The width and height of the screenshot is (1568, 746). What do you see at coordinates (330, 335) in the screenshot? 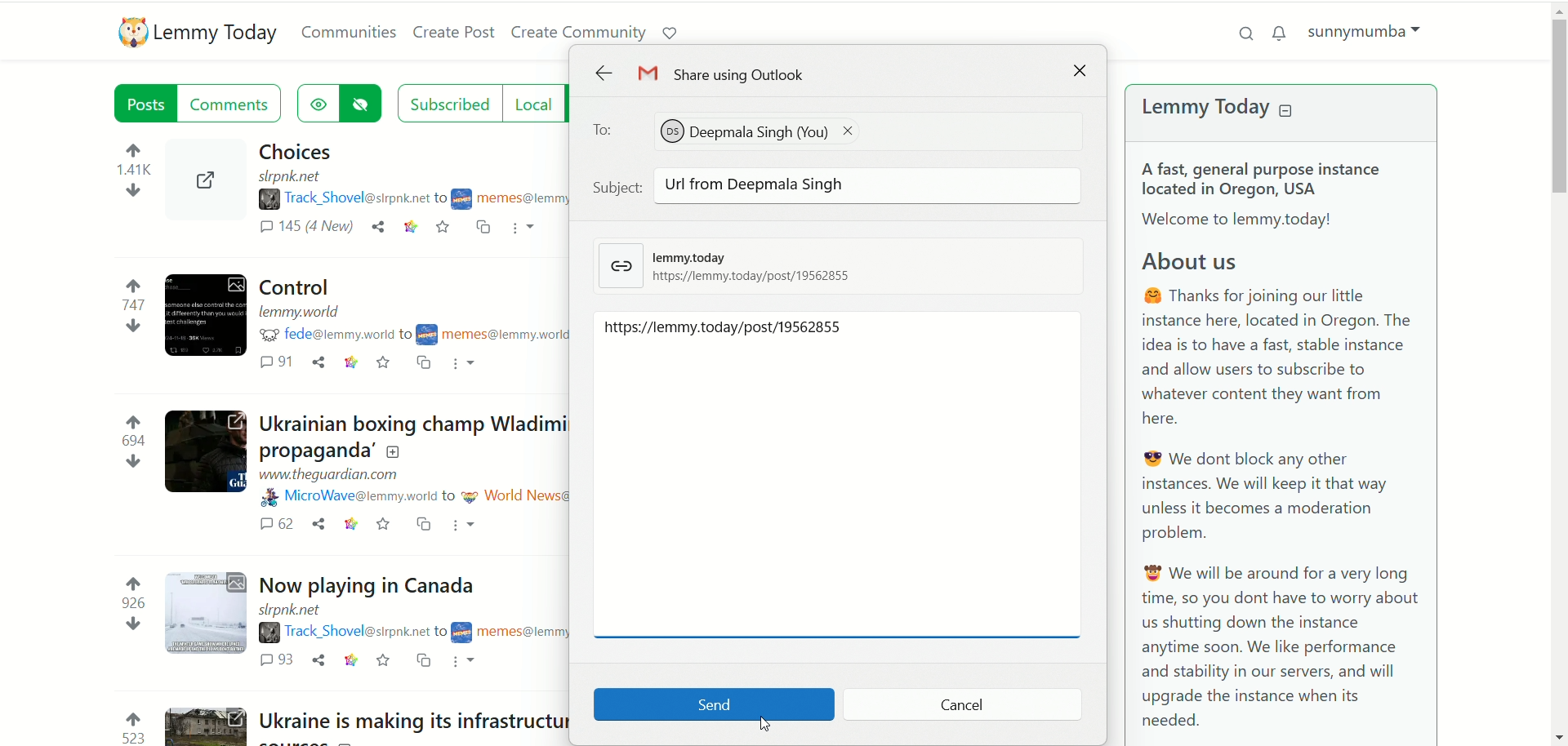
I see `username` at bounding box center [330, 335].